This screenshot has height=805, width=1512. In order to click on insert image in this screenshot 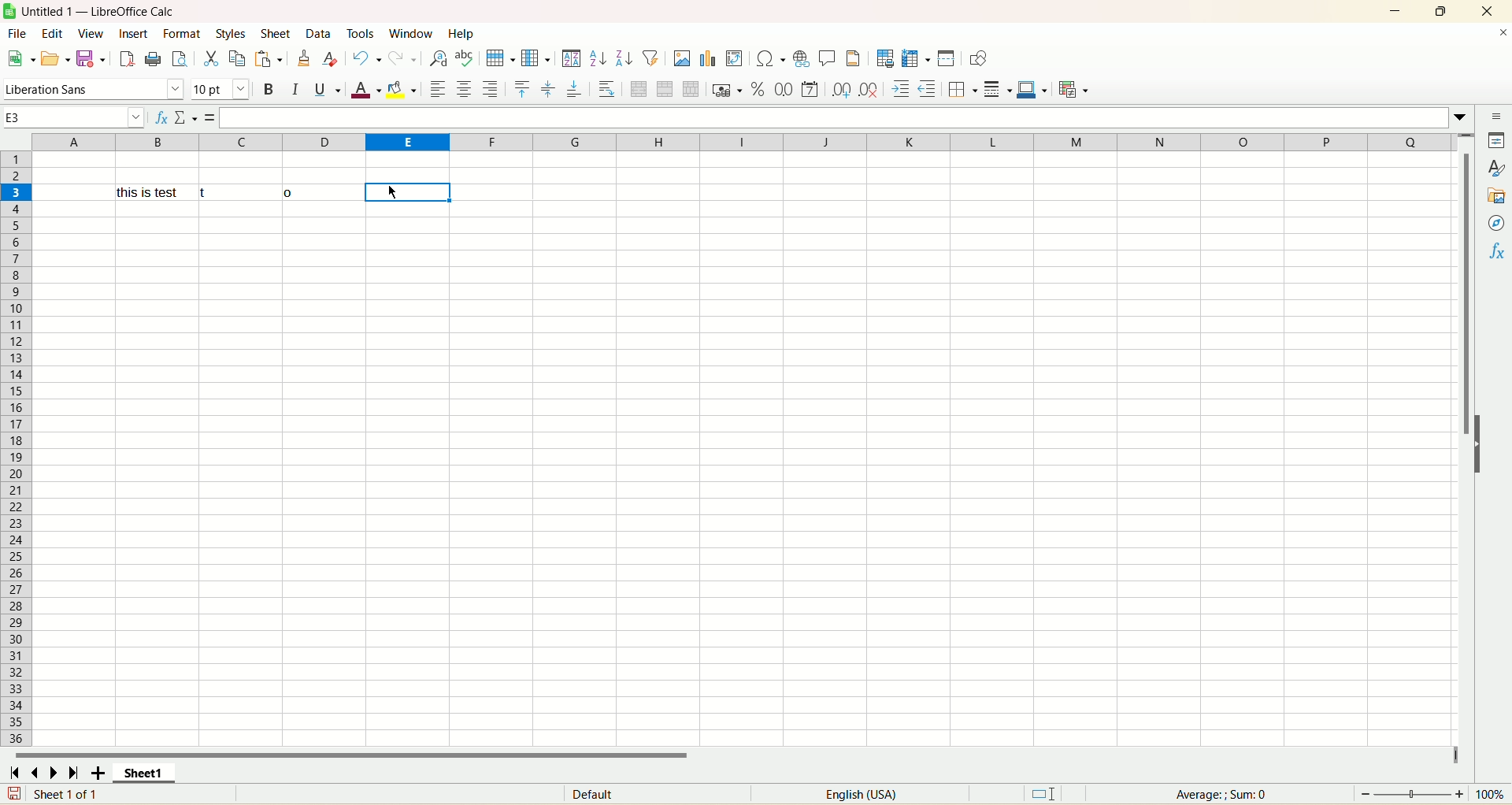, I will do `click(682, 58)`.